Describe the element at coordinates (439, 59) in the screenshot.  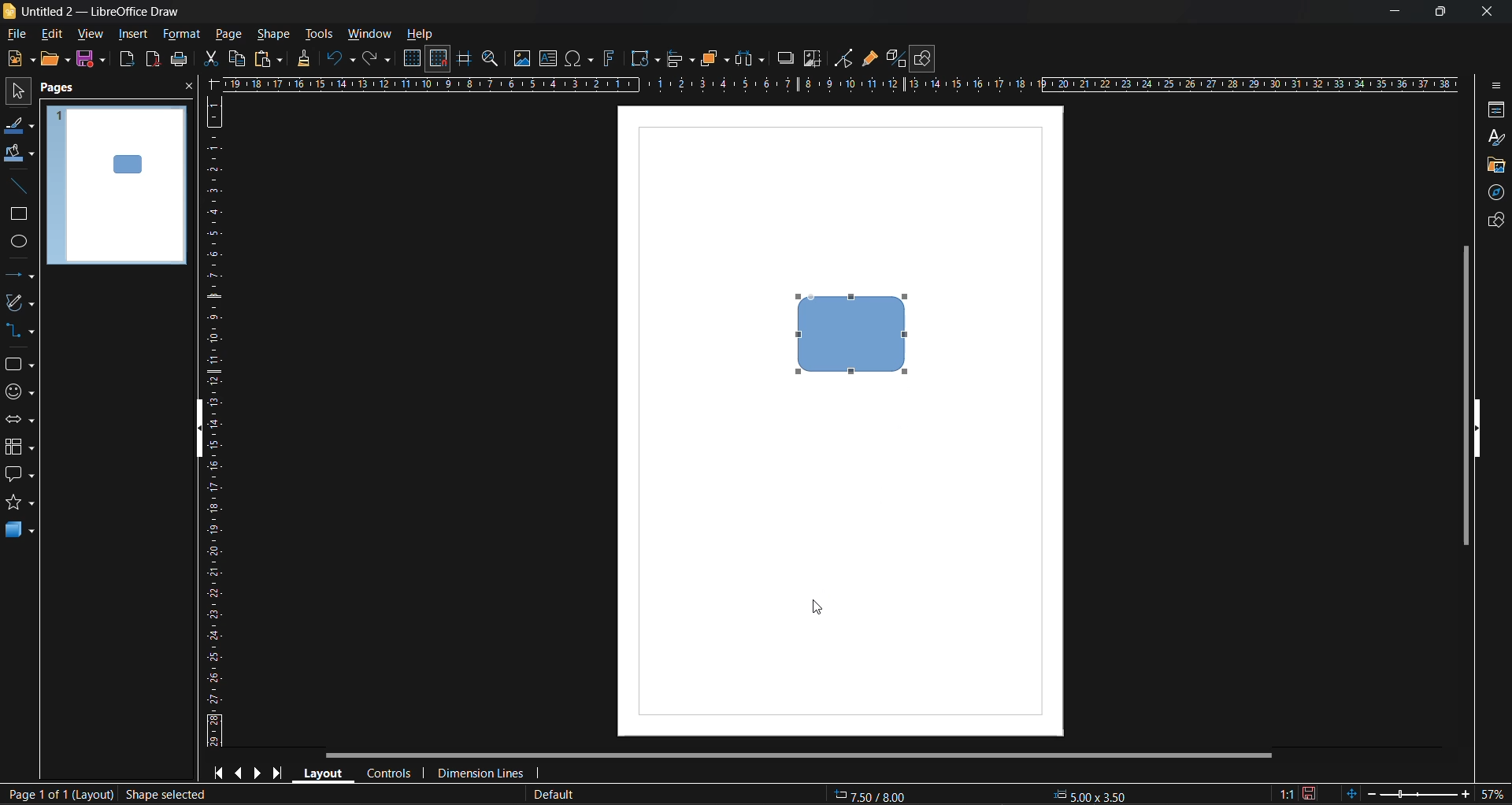
I see `snap to grid` at that location.